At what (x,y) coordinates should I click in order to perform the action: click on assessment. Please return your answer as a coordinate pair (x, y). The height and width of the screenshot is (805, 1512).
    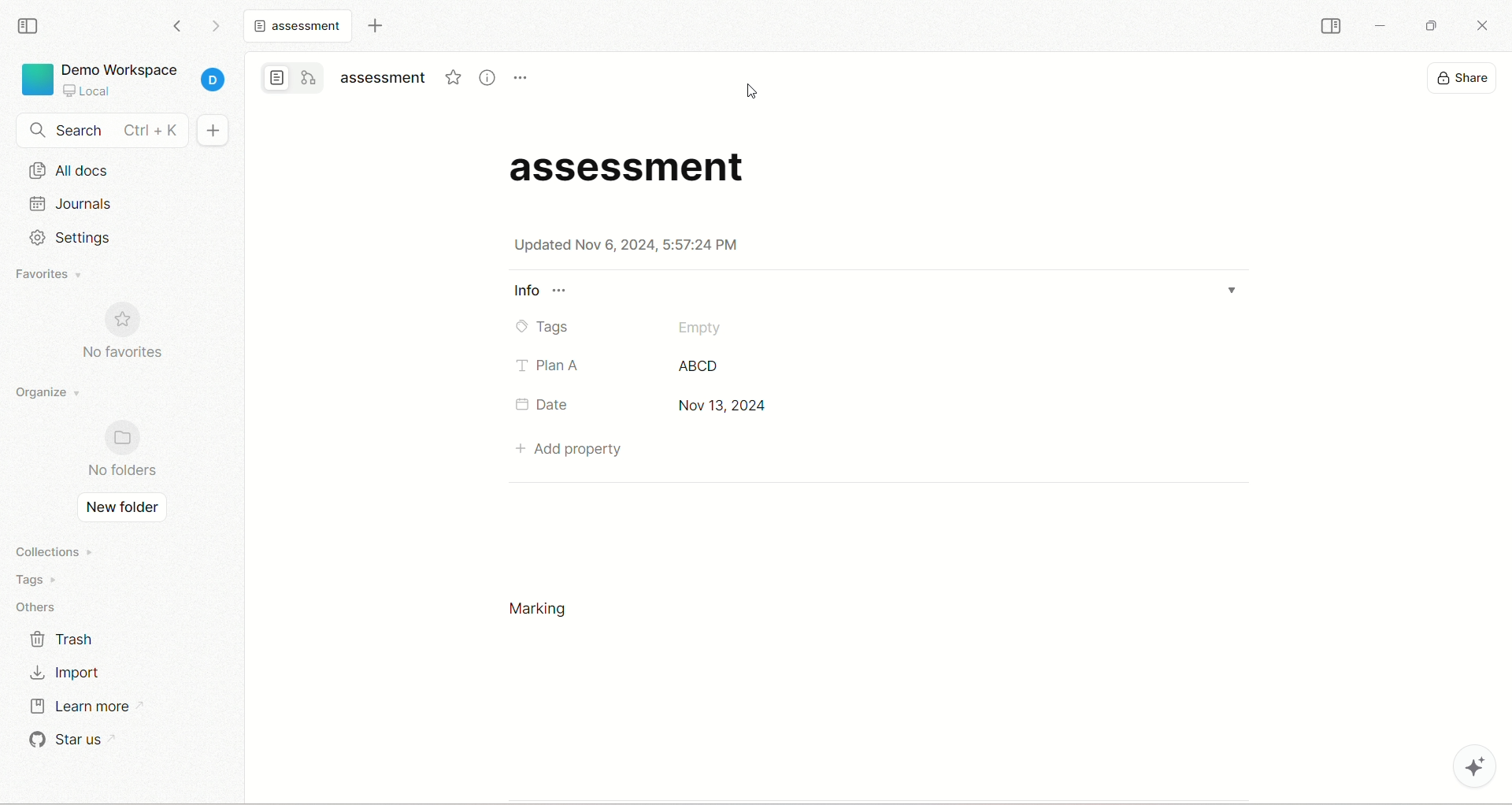
    Looking at the image, I should click on (302, 28).